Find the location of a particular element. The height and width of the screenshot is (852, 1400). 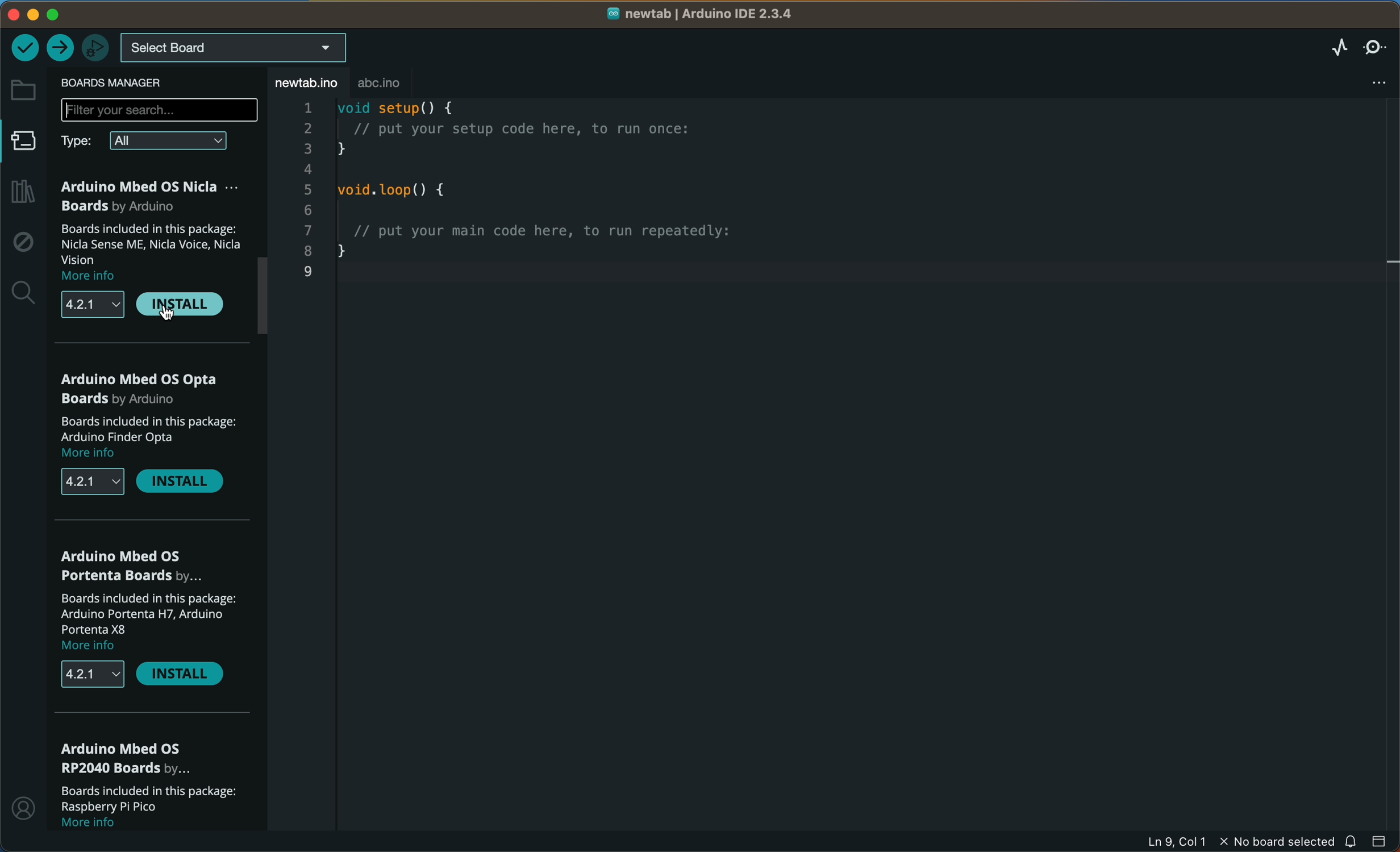

abc .ino is located at coordinates (398, 84).